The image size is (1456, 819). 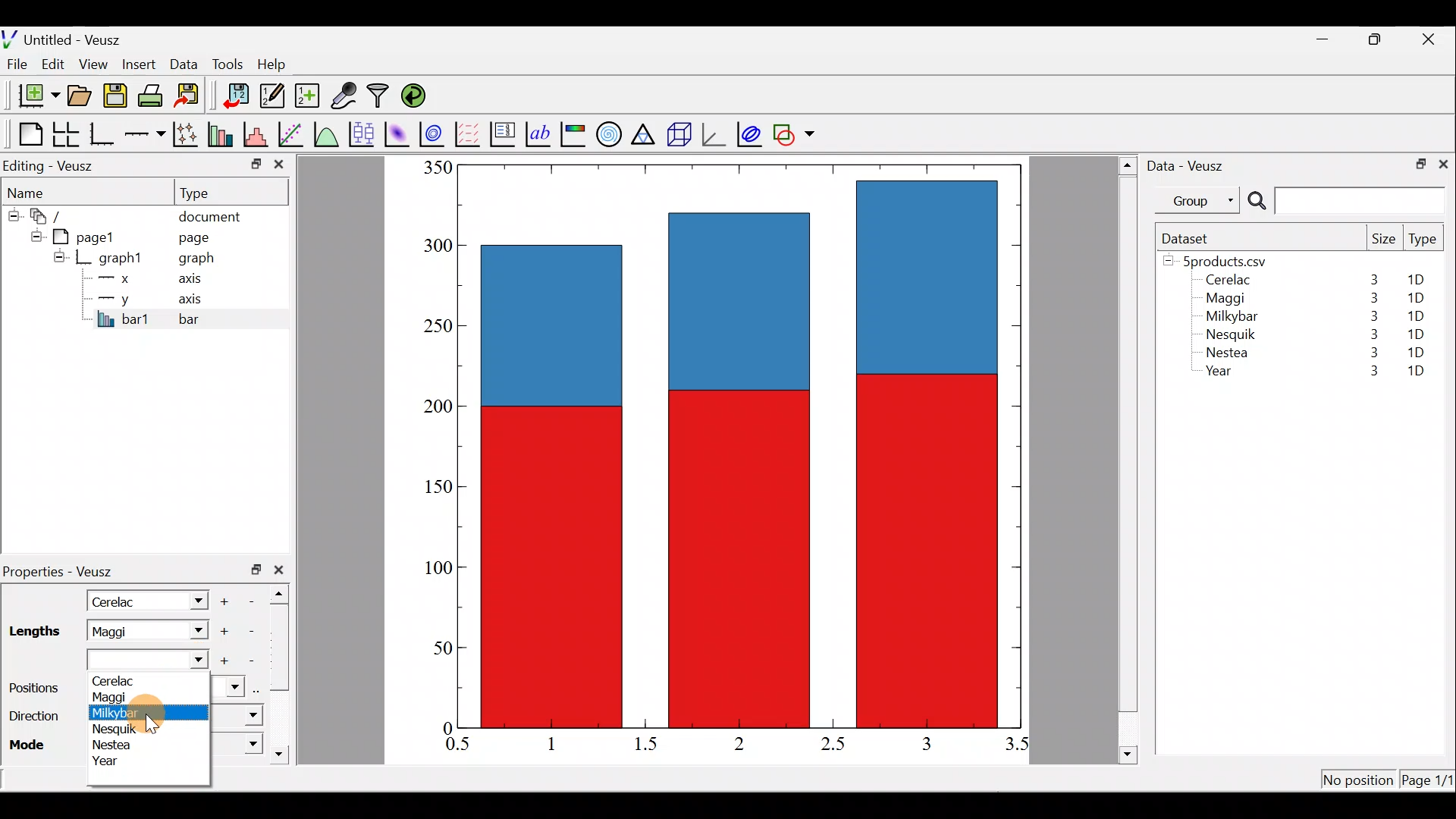 What do you see at coordinates (1377, 39) in the screenshot?
I see `restore down` at bounding box center [1377, 39].